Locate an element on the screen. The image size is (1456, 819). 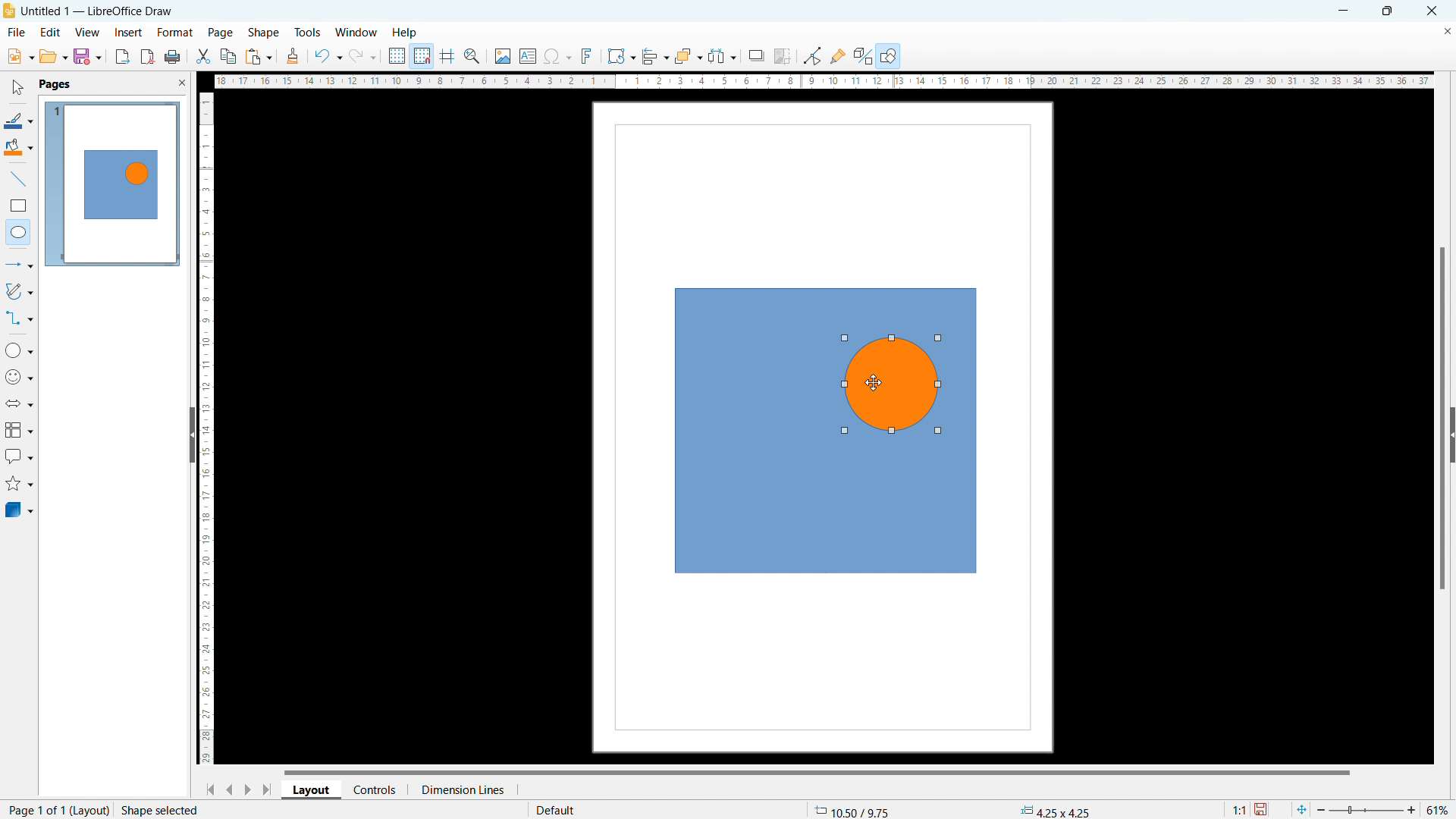
show extrusion is located at coordinates (863, 57).